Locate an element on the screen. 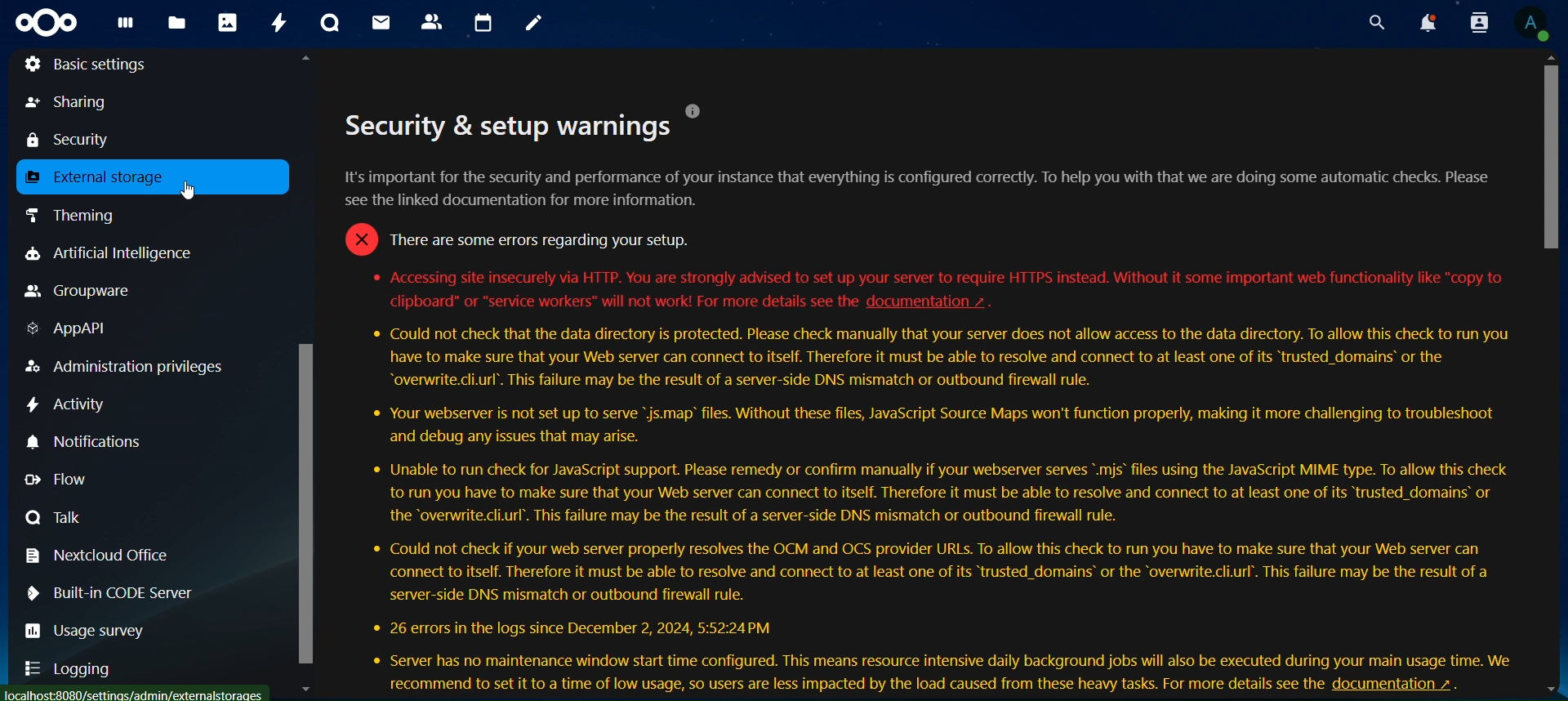 Image resolution: width=1568 pixels, height=701 pixels. activity is located at coordinates (68, 403).